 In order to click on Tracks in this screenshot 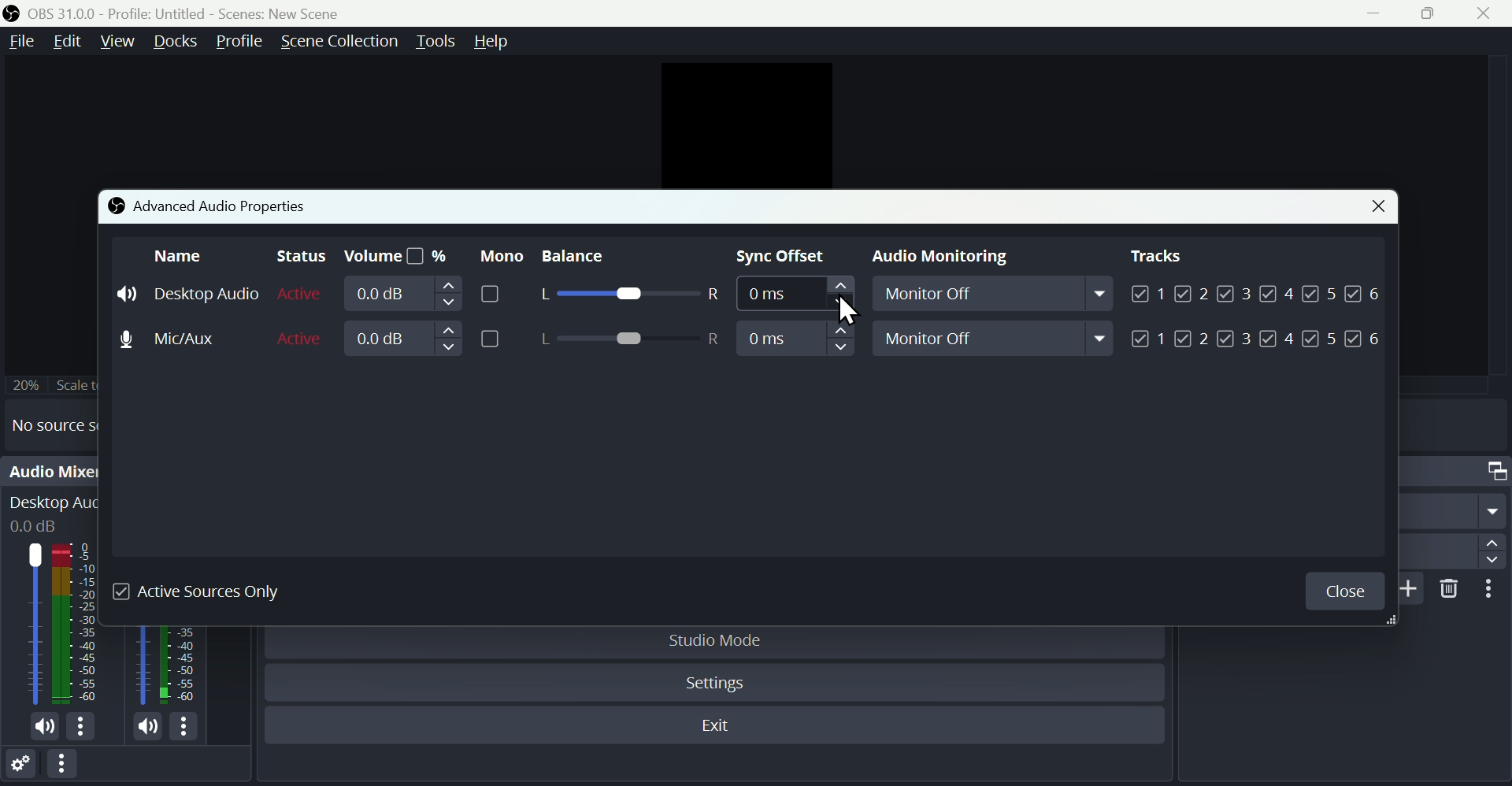, I will do `click(1157, 256)`.